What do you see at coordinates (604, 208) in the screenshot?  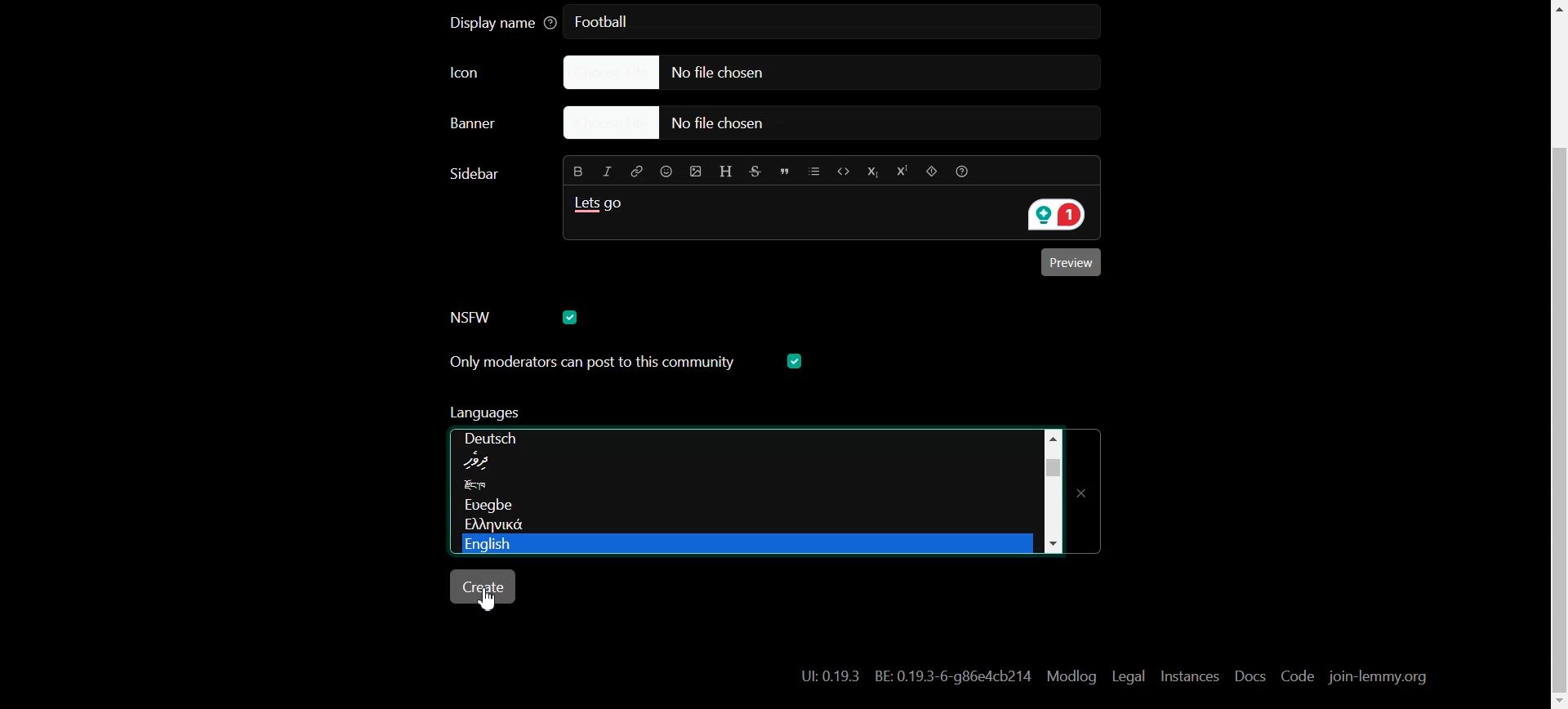 I see `Text` at bounding box center [604, 208].